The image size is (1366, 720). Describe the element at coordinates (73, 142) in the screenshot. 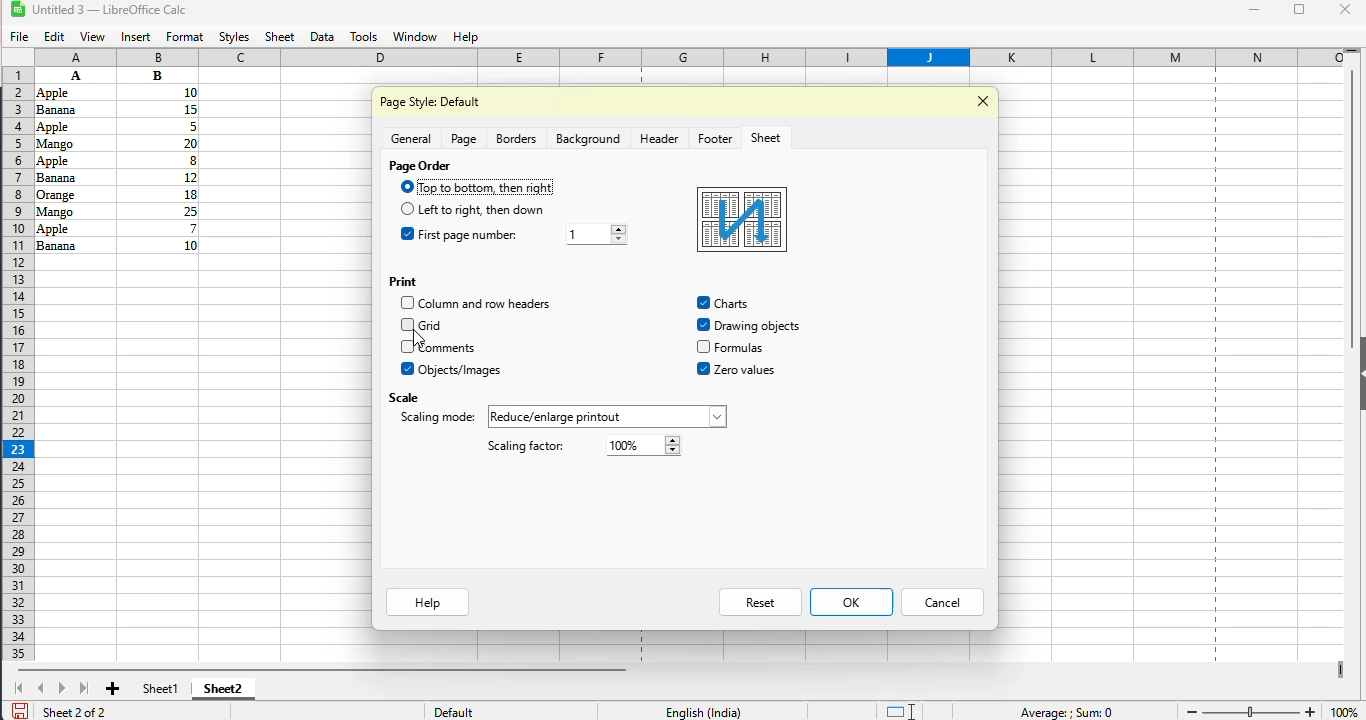

I see `` at that location.